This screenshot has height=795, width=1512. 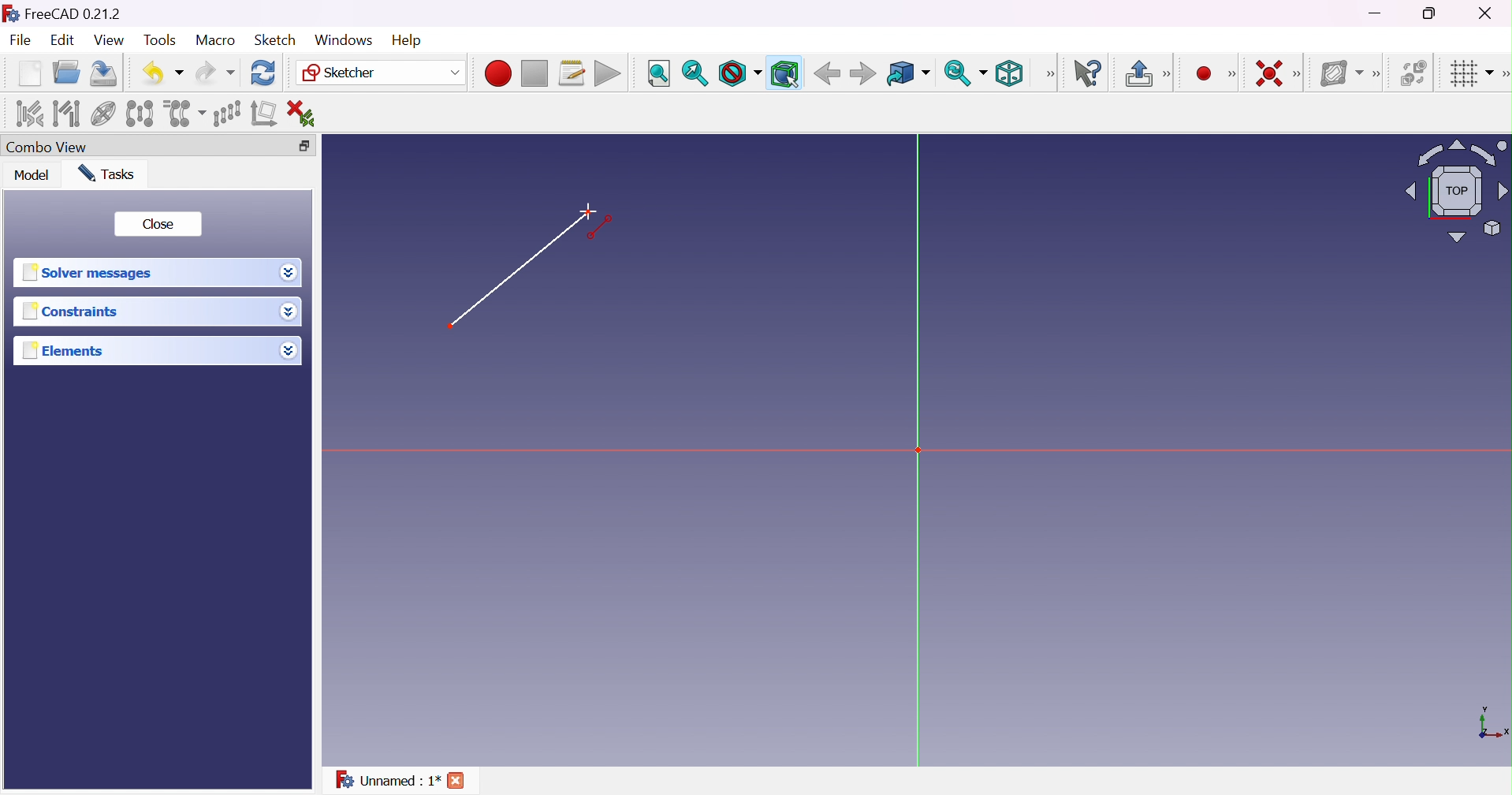 I want to click on Stop macros recording, so click(x=534, y=74).